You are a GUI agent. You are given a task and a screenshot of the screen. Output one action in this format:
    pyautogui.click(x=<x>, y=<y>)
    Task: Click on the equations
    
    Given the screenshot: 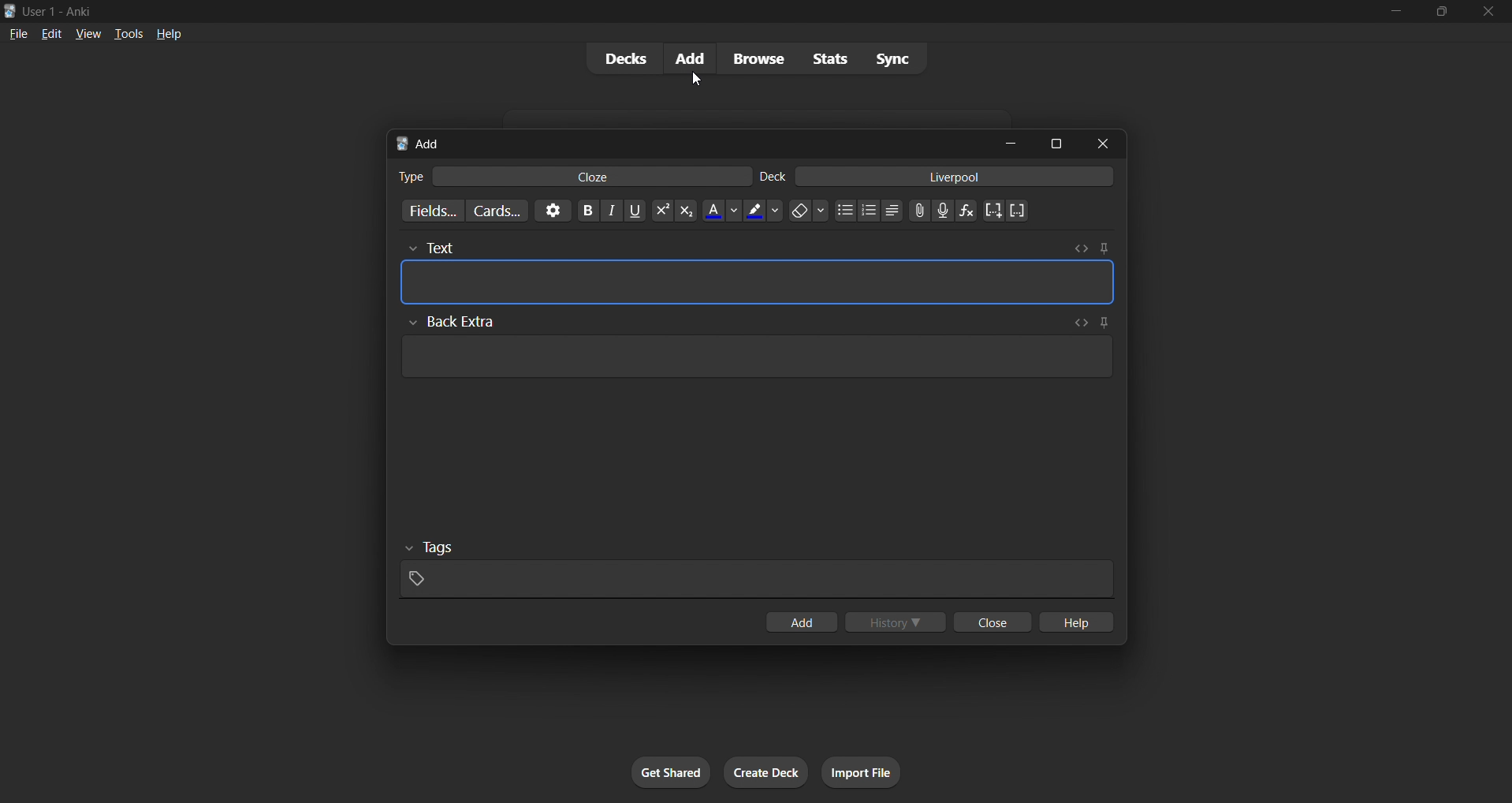 What is the action you would take?
    pyautogui.click(x=964, y=213)
    